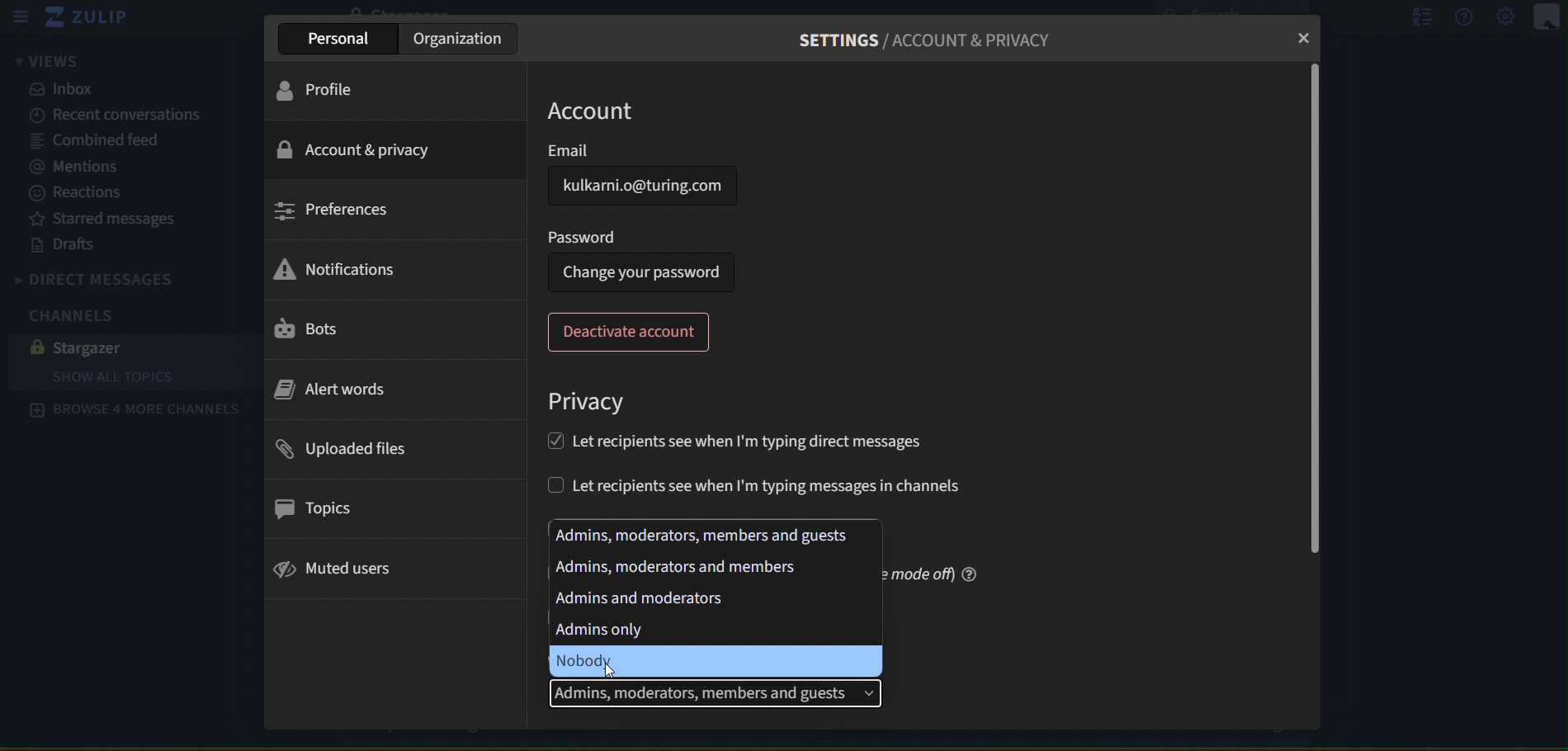 This screenshot has width=1568, height=751. I want to click on change your password, so click(641, 273).